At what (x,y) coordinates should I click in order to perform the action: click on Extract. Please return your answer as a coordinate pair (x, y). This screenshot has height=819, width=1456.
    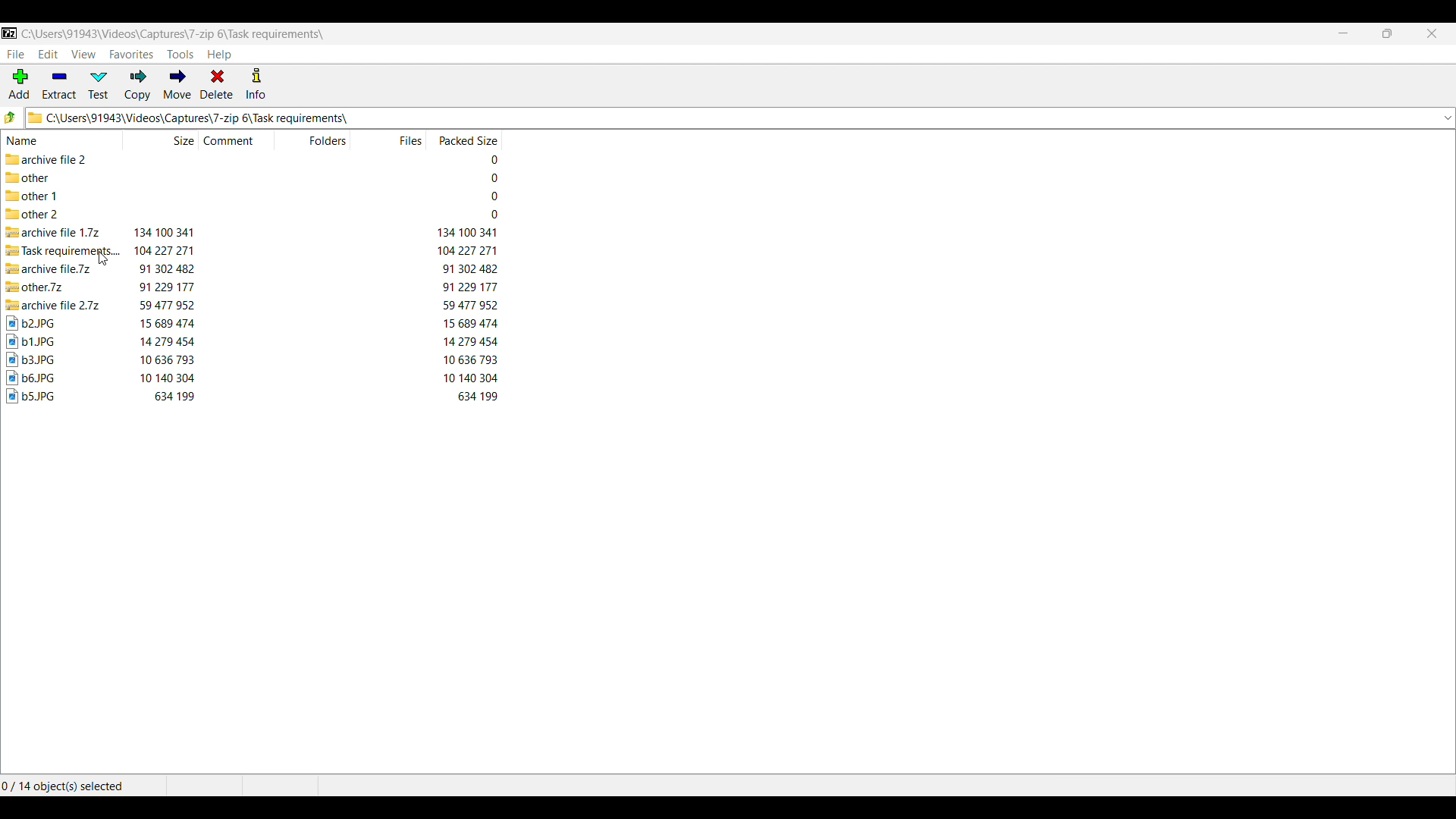
    Looking at the image, I should click on (60, 85).